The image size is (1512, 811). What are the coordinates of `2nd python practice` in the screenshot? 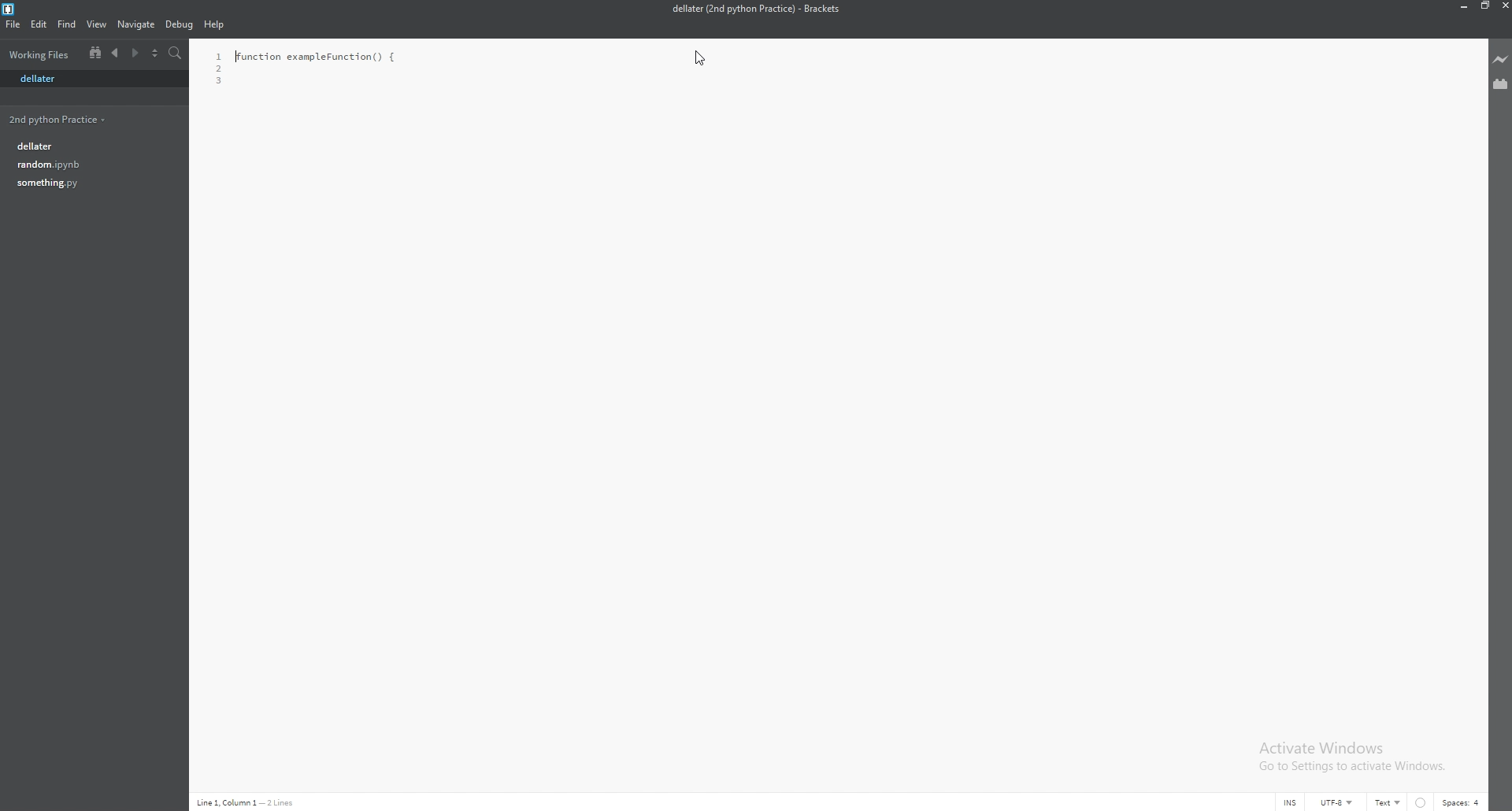 It's located at (58, 120).